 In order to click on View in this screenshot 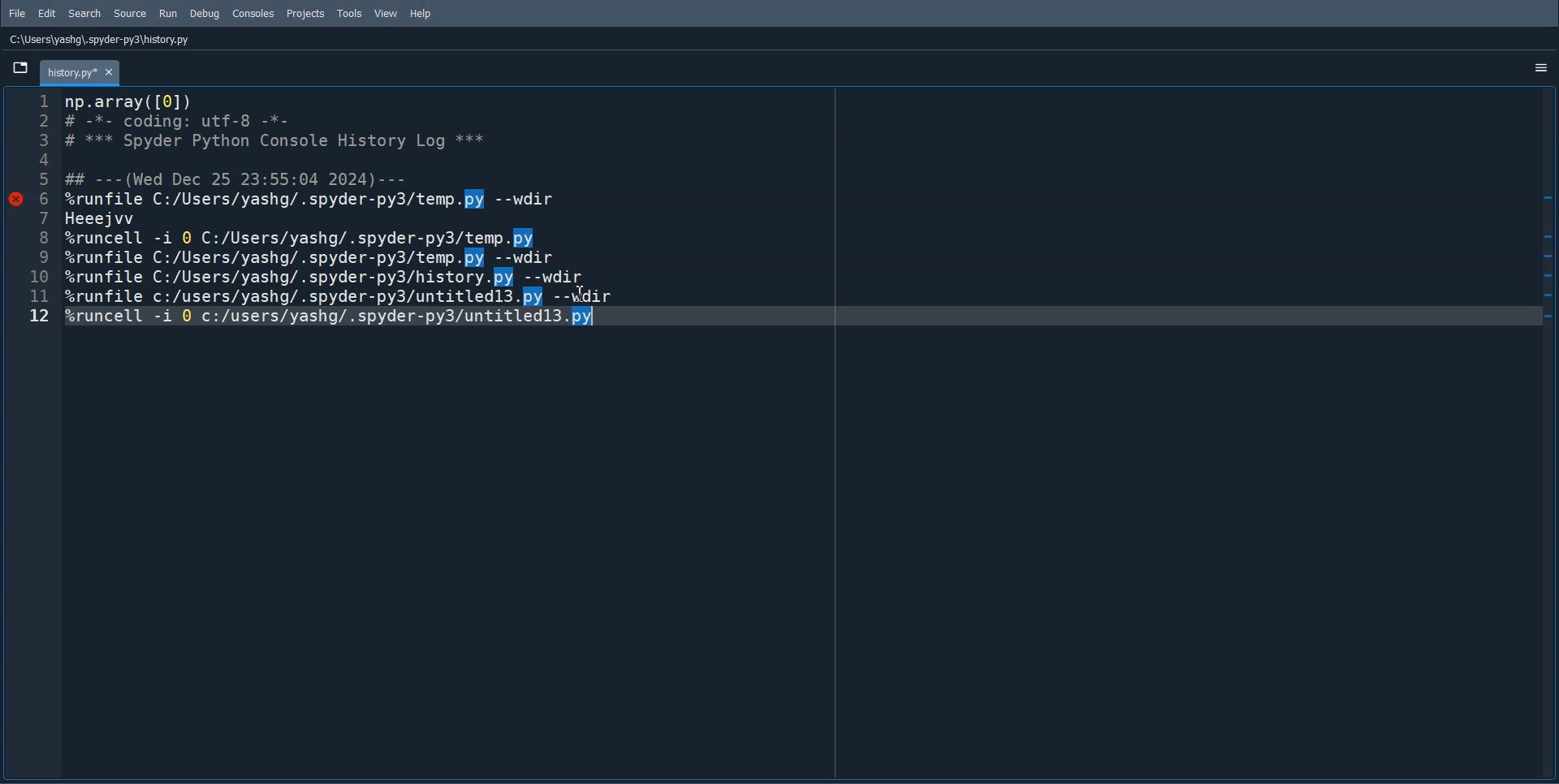, I will do `click(387, 13)`.